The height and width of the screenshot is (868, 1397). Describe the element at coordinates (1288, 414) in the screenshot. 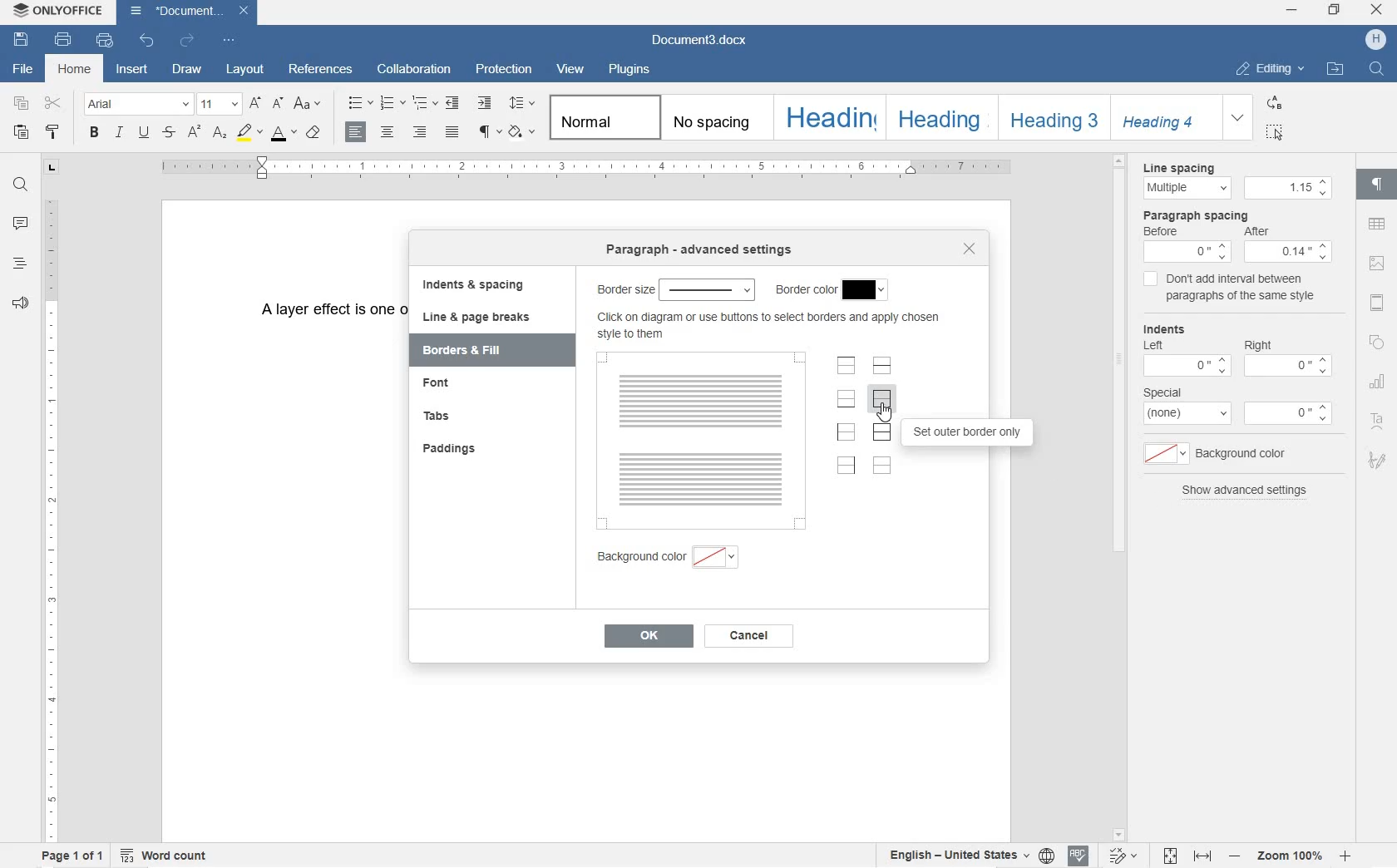

I see `0"` at that location.